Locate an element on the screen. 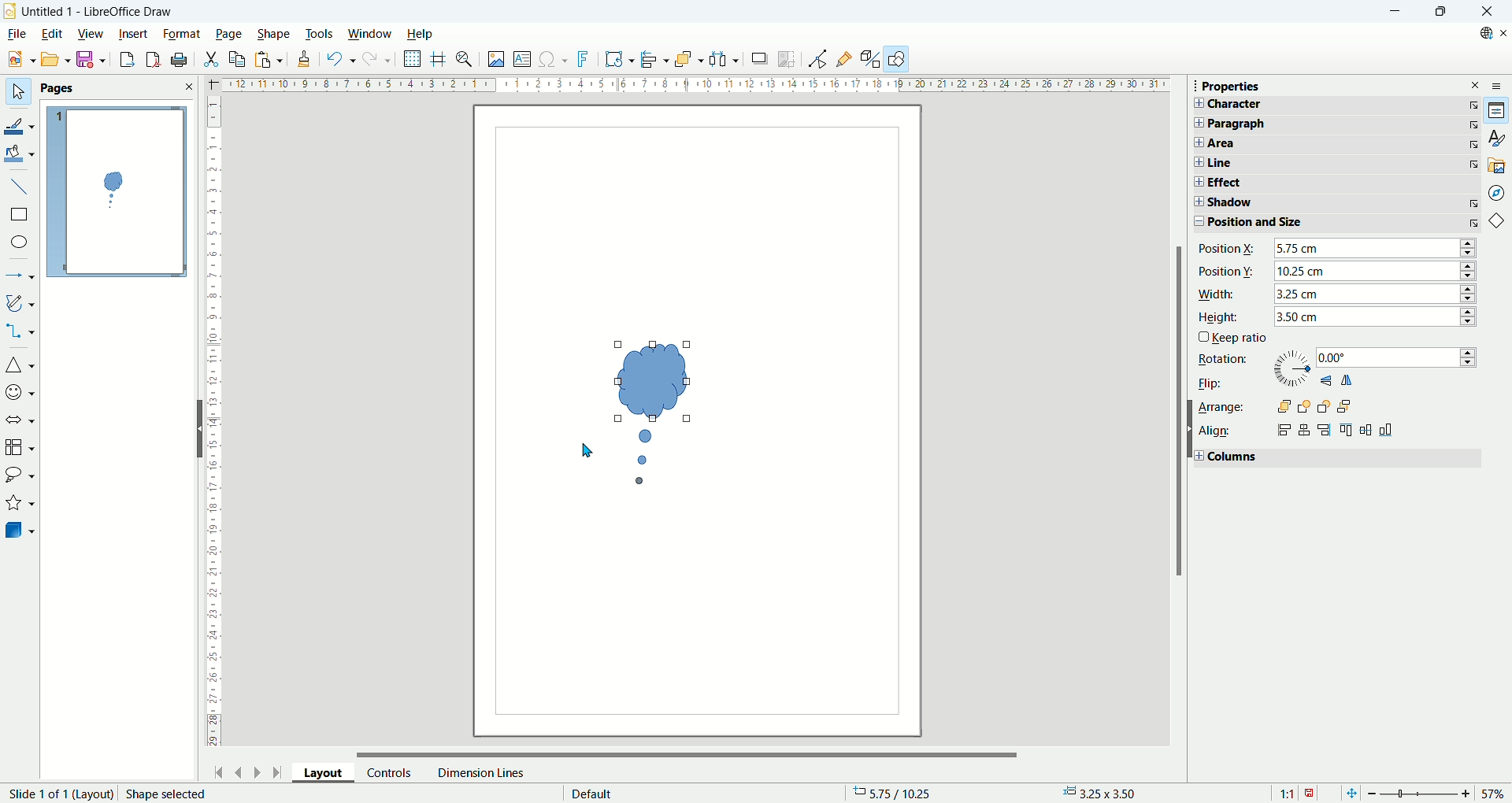 Image resolution: width=1512 pixels, height=803 pixels. Navigator is located at coordinates (1496, 192).